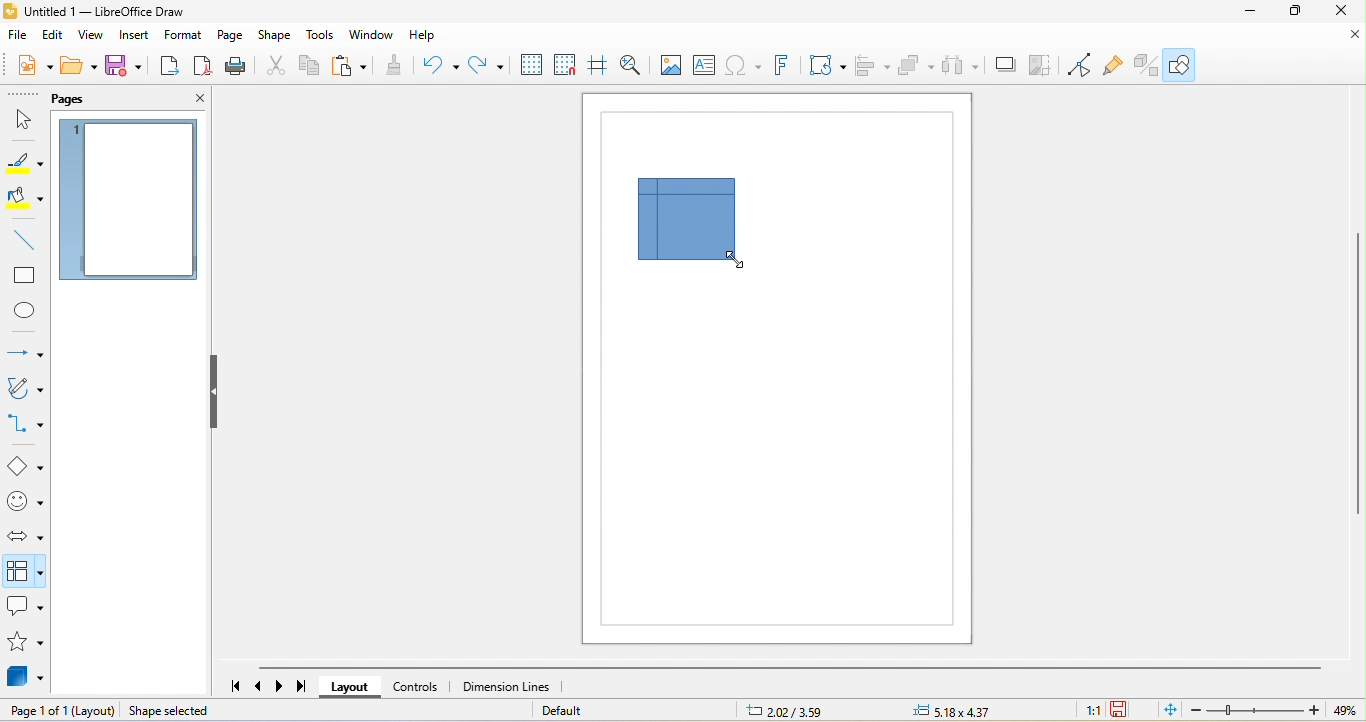  What do you see at coordinates (732, 257) in the screenshot?
I see `cursor movement and structure changed` at bounding box center [732, 257].